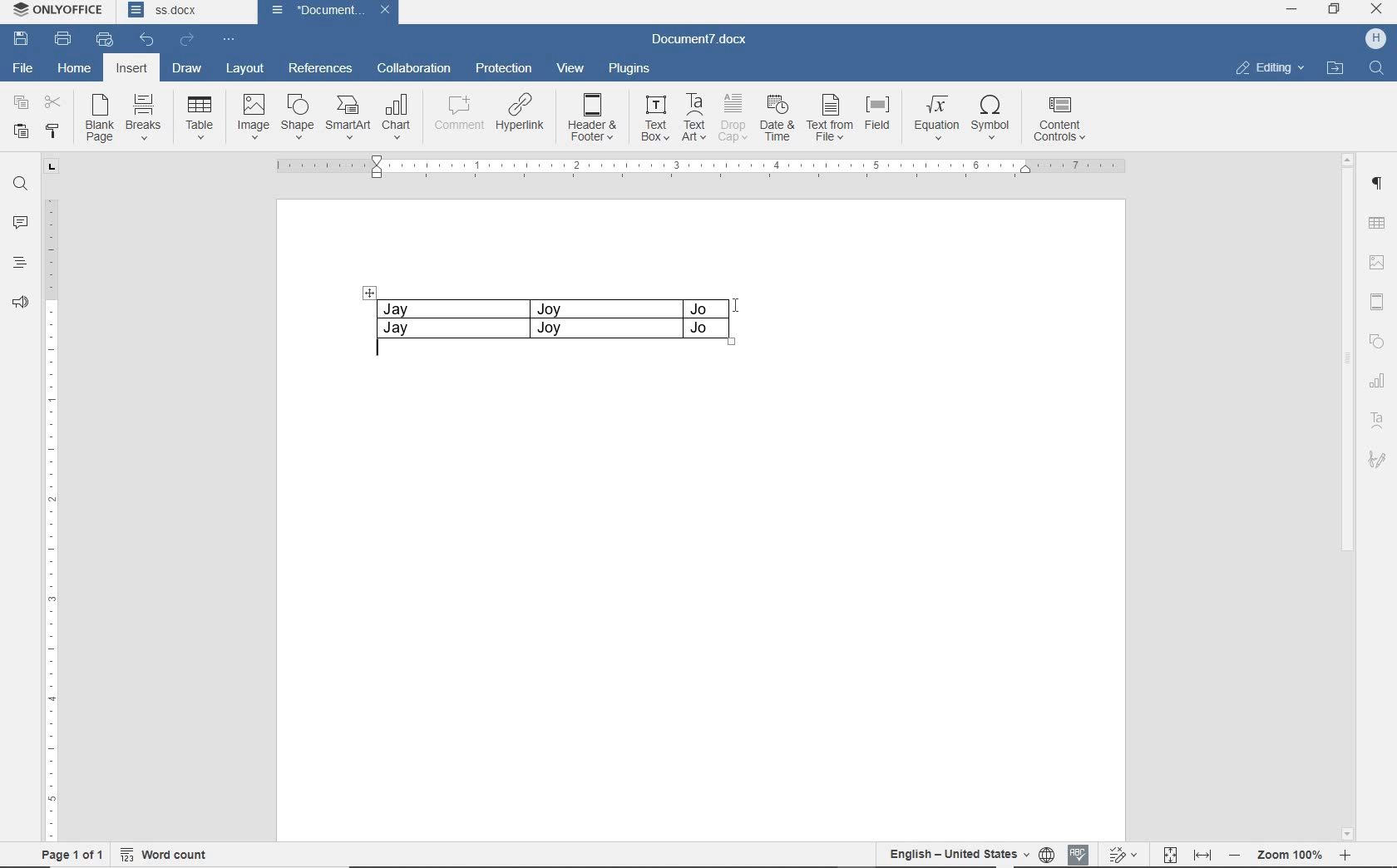 Image resolution: width=1397 pixels, height=868 pixels. I want to click on HOME, so click(76, 67).